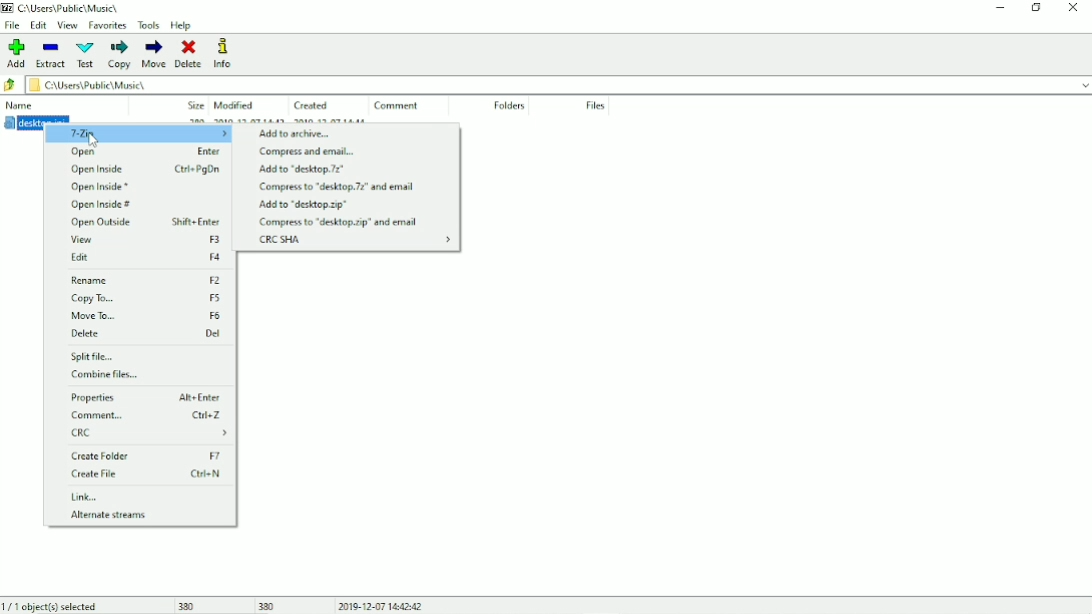  What do you see at coordinates (192, 105) in the screenshot?
I see `Size` at bounding box center [192, 105].